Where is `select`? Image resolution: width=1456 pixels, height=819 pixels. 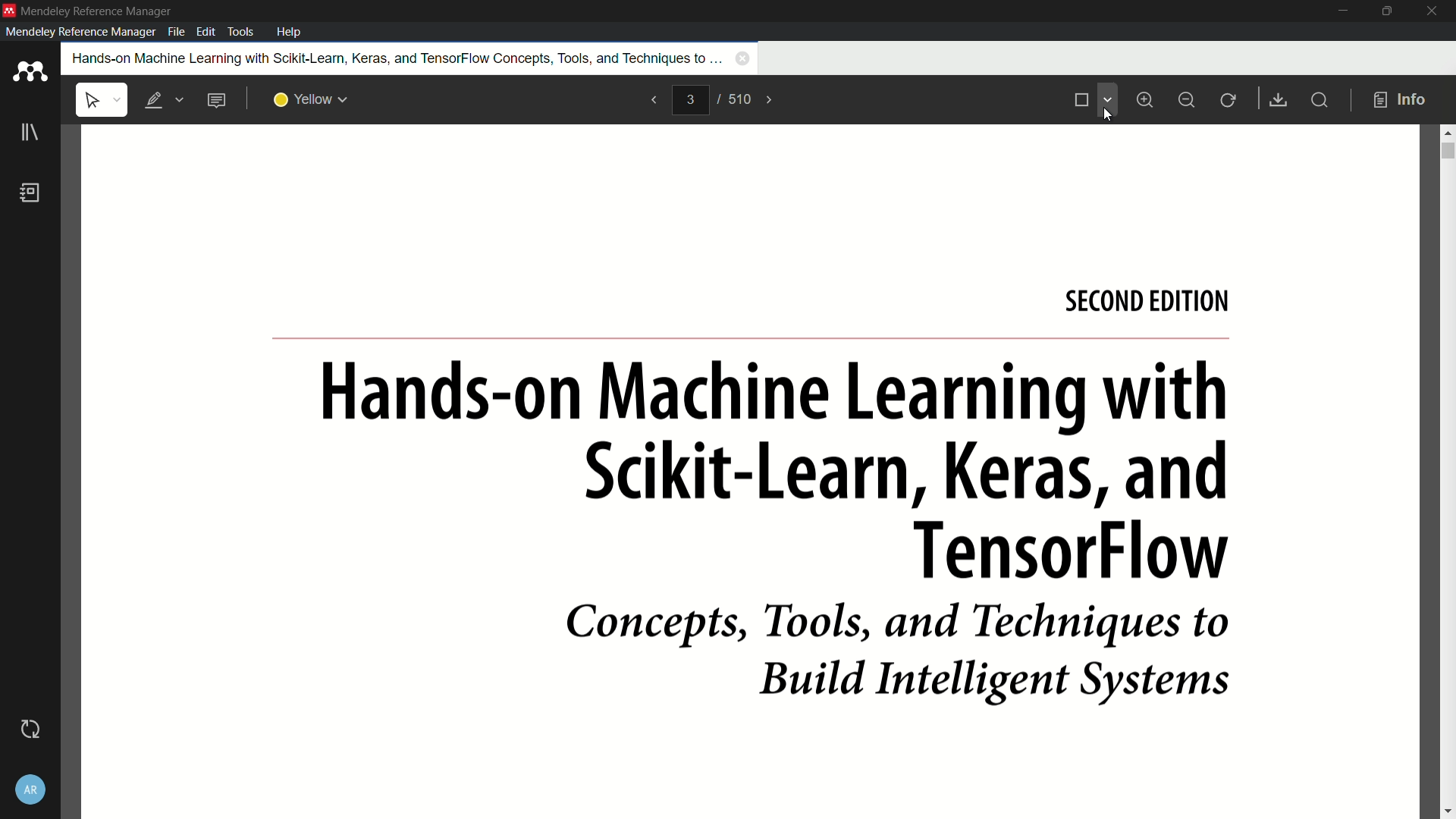 select is located at coordinates (102, 100).